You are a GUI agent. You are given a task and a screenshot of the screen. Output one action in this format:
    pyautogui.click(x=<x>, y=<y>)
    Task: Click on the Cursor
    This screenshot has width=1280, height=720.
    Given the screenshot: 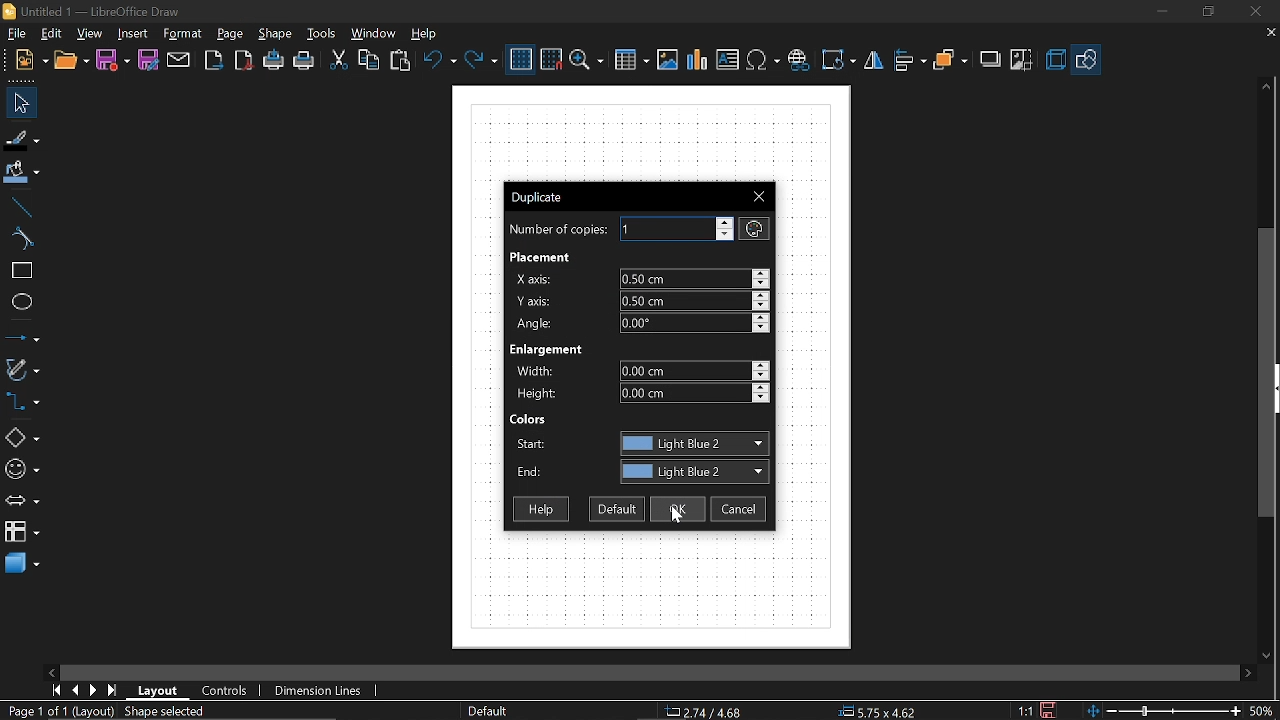 What is the action you would take?
    pyautogui.click(x=682, y=514)
    